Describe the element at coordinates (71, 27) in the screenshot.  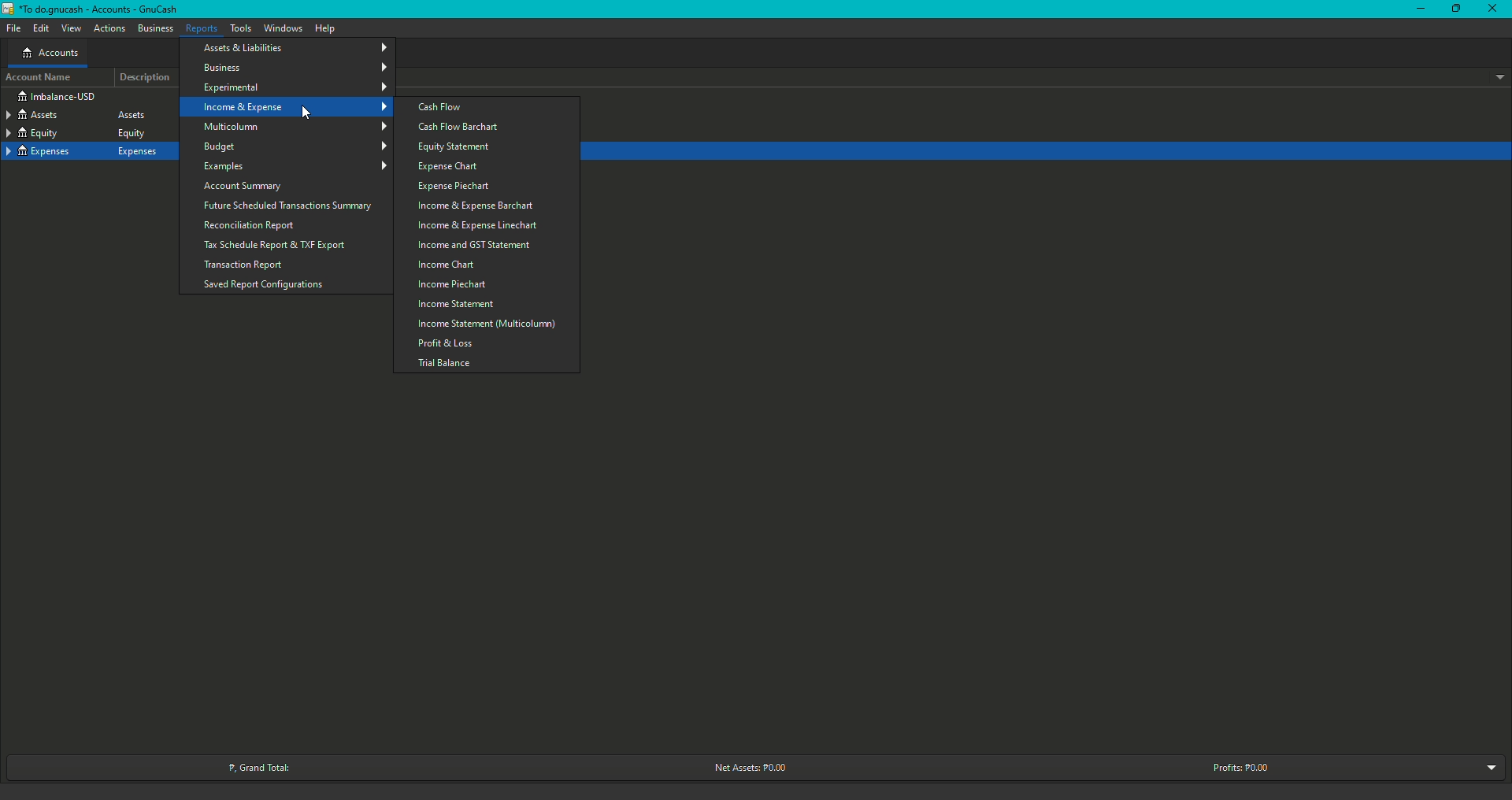
I see `View` at that location.